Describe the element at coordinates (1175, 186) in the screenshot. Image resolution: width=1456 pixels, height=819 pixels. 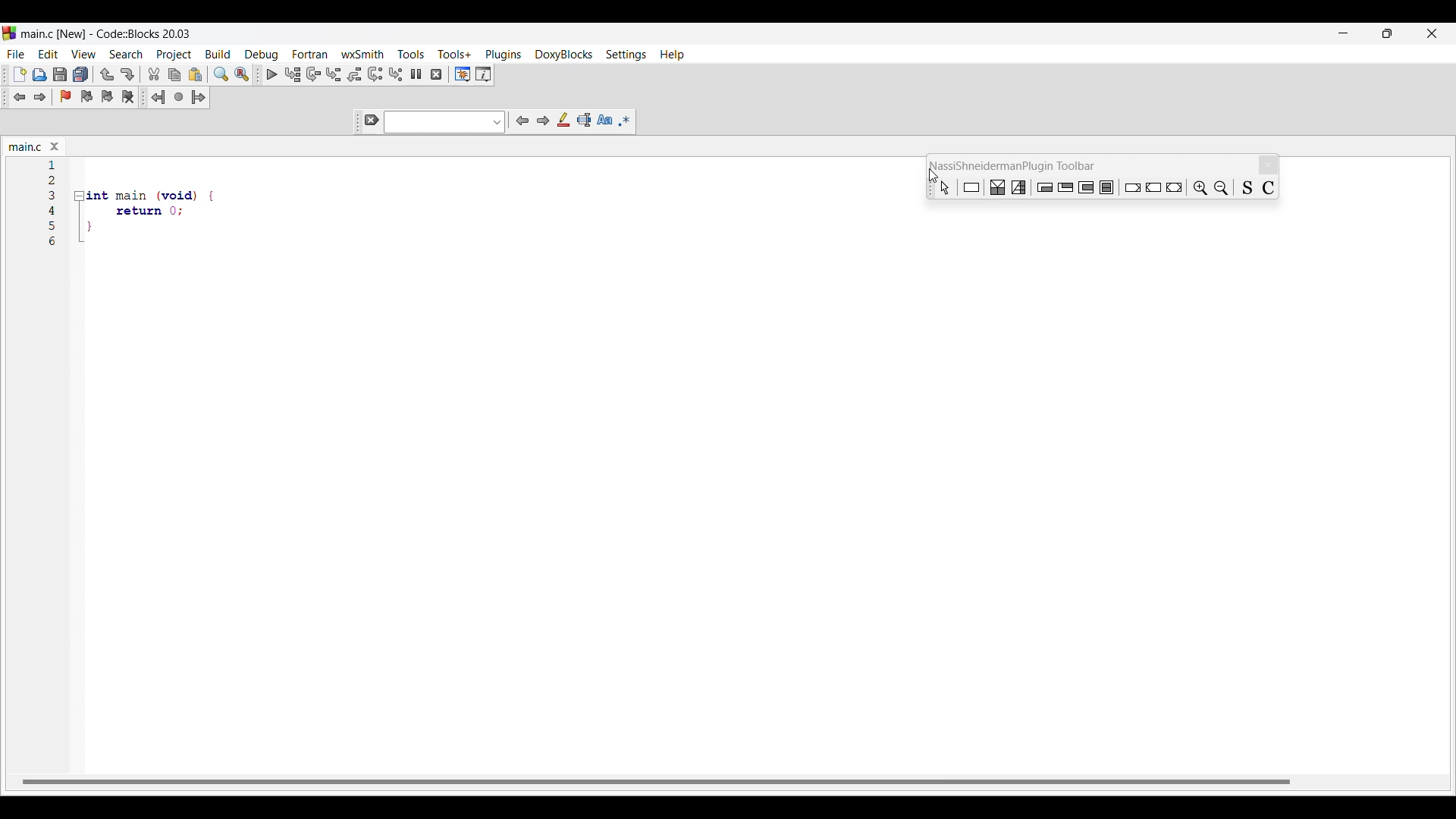
I see `` at that location.